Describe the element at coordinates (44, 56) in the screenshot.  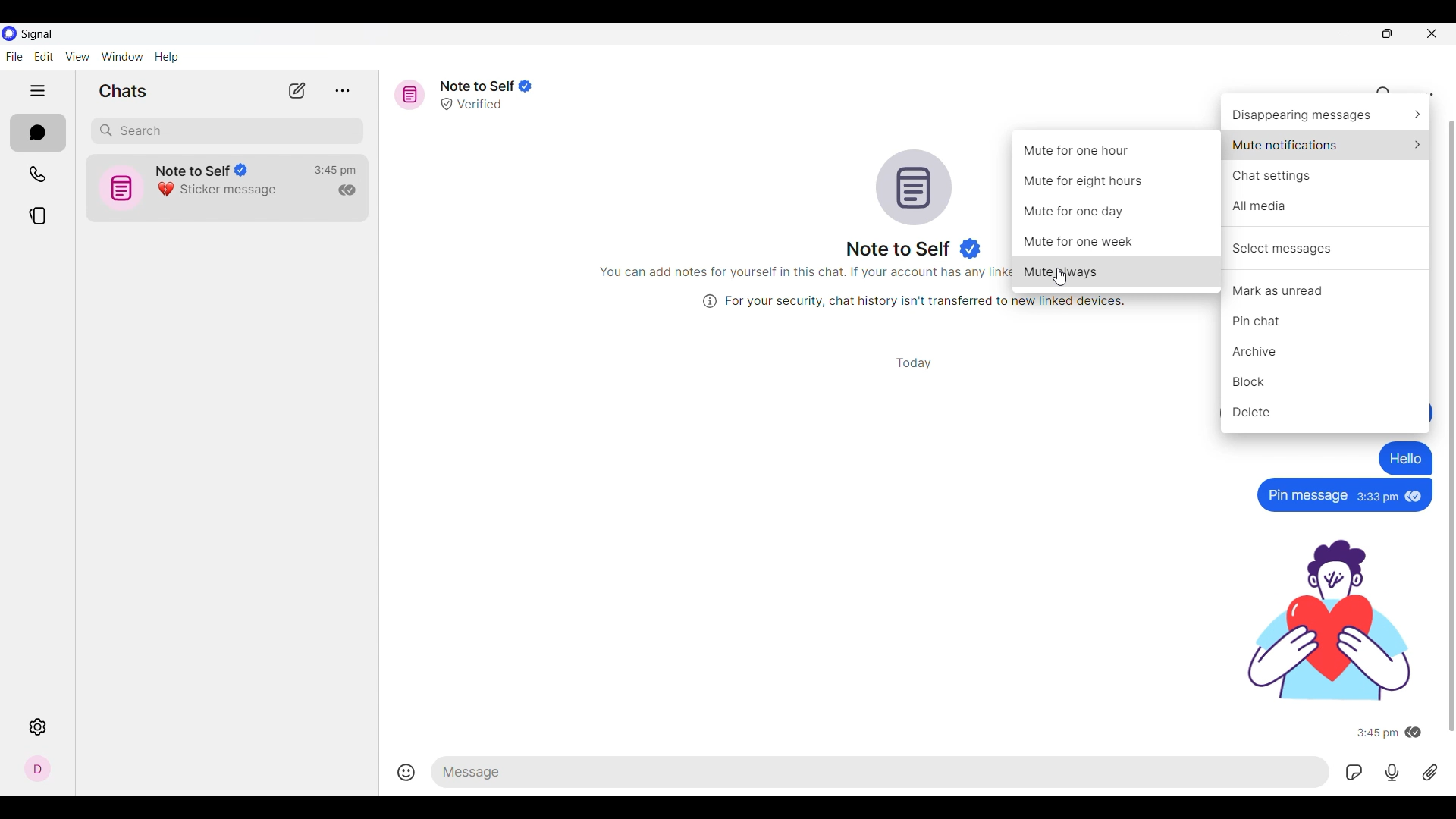
I see `Edit menu` at that location.